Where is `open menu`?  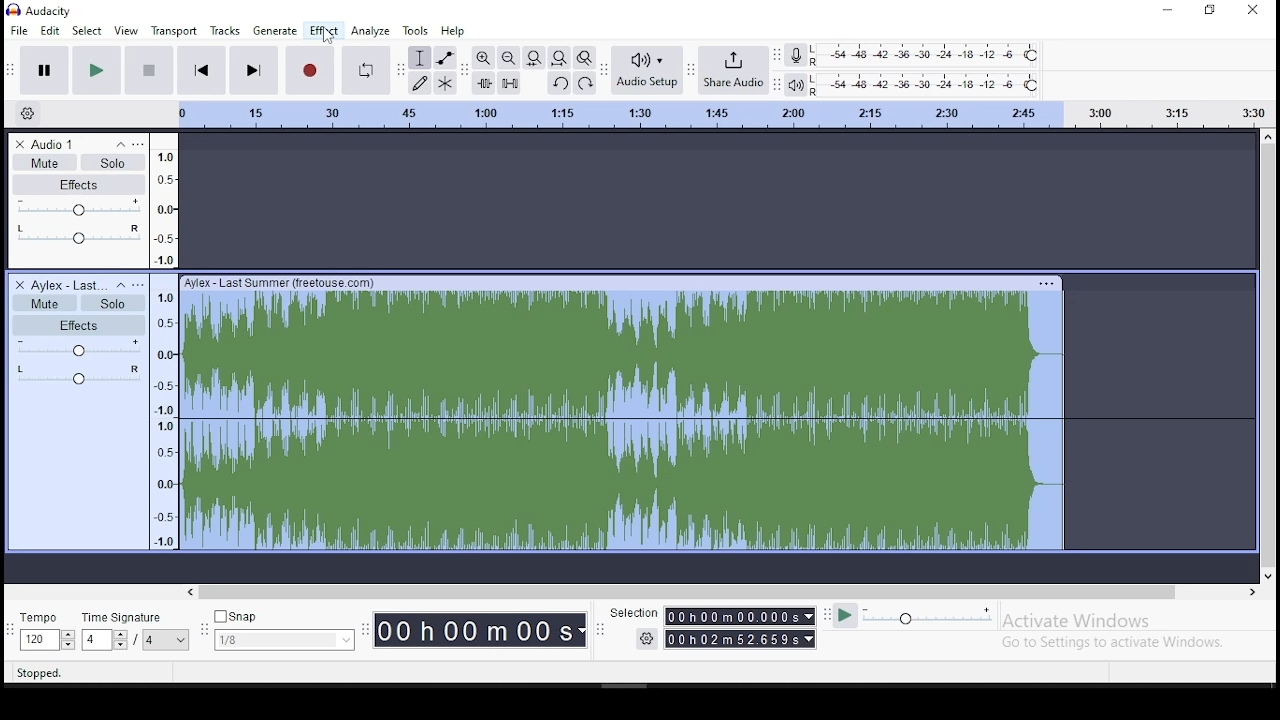
open menu is located at coordinates (142, 284).